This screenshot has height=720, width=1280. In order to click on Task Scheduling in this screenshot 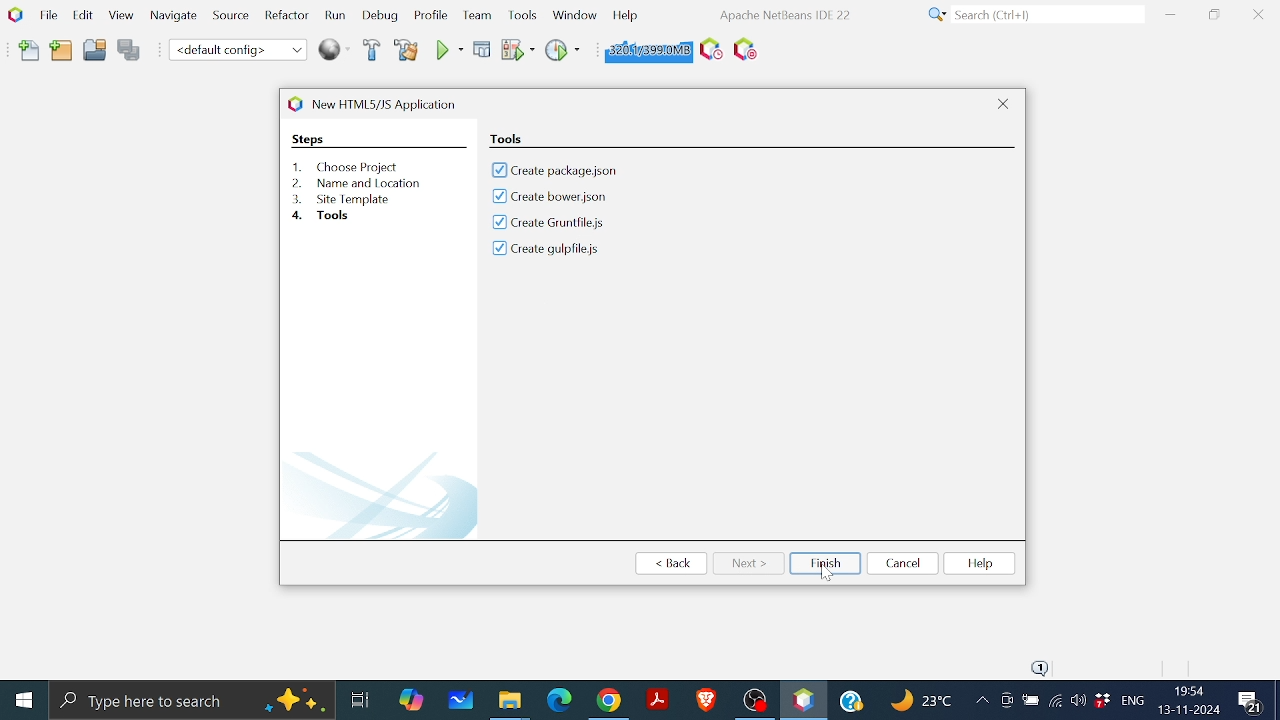, I will do `click(709, 50)`.